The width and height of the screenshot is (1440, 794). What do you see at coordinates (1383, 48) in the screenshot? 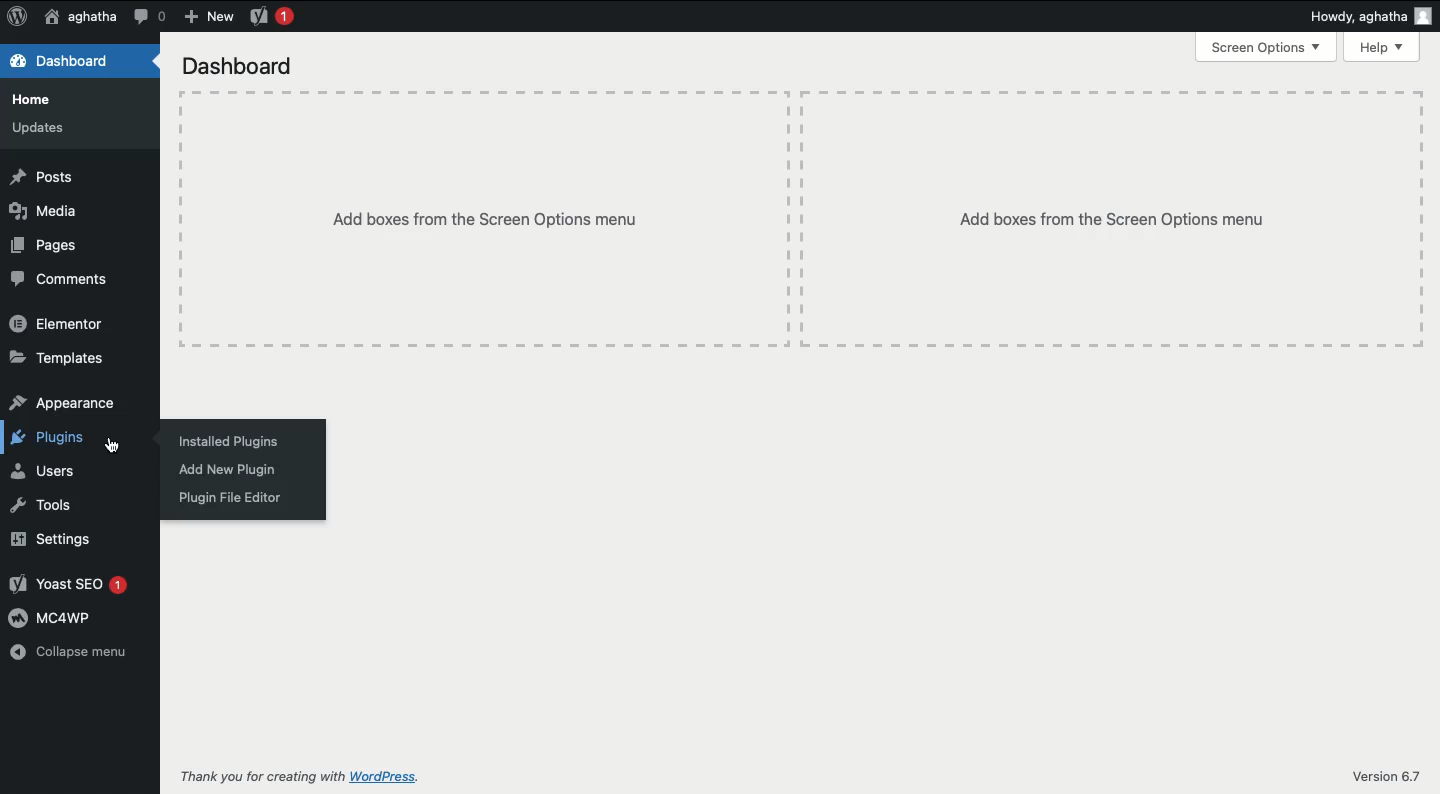
I see `Help` at bounding box center [1383, 48].